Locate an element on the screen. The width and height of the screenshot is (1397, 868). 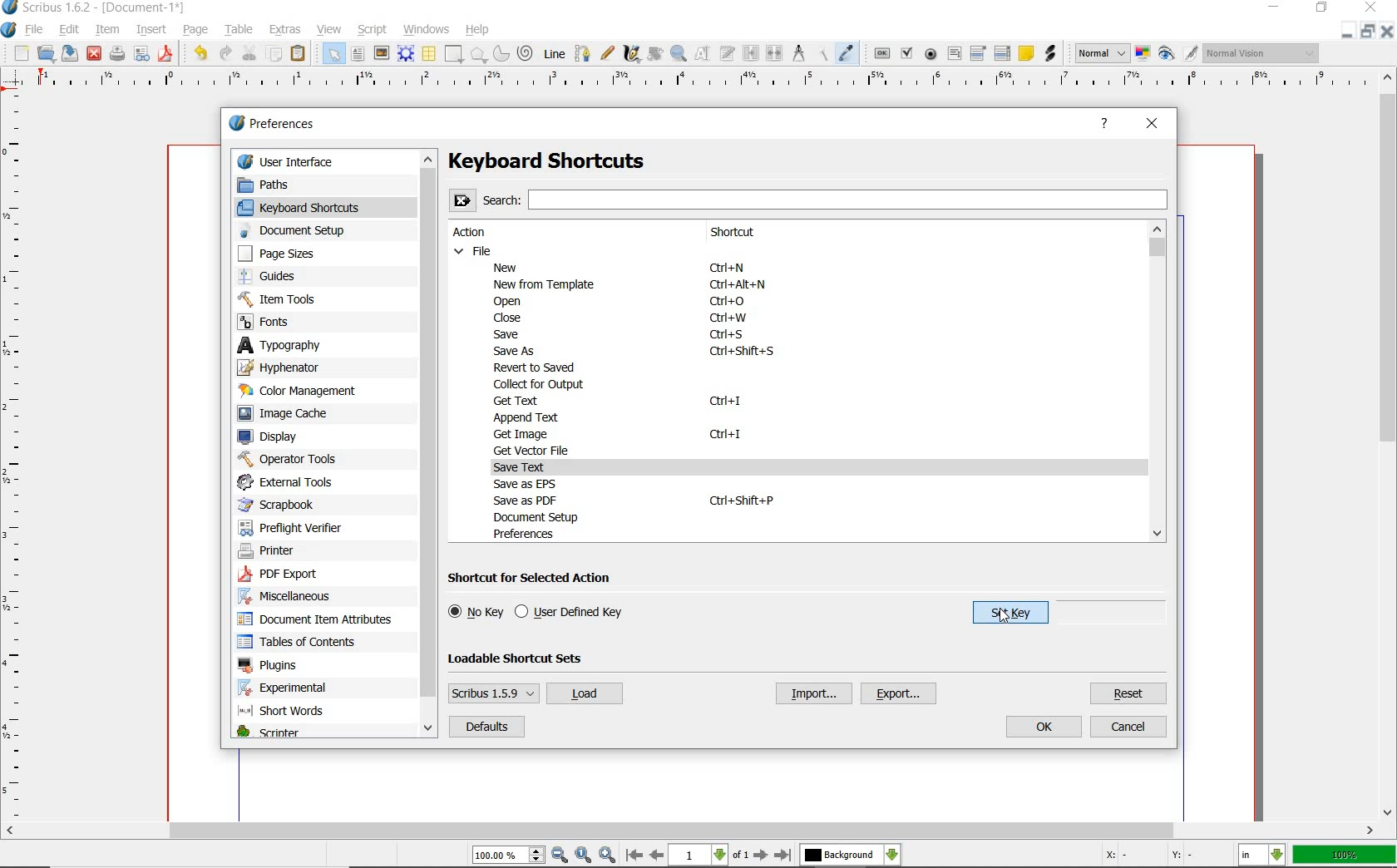
tables of contents is located at coordinates (304, 643).